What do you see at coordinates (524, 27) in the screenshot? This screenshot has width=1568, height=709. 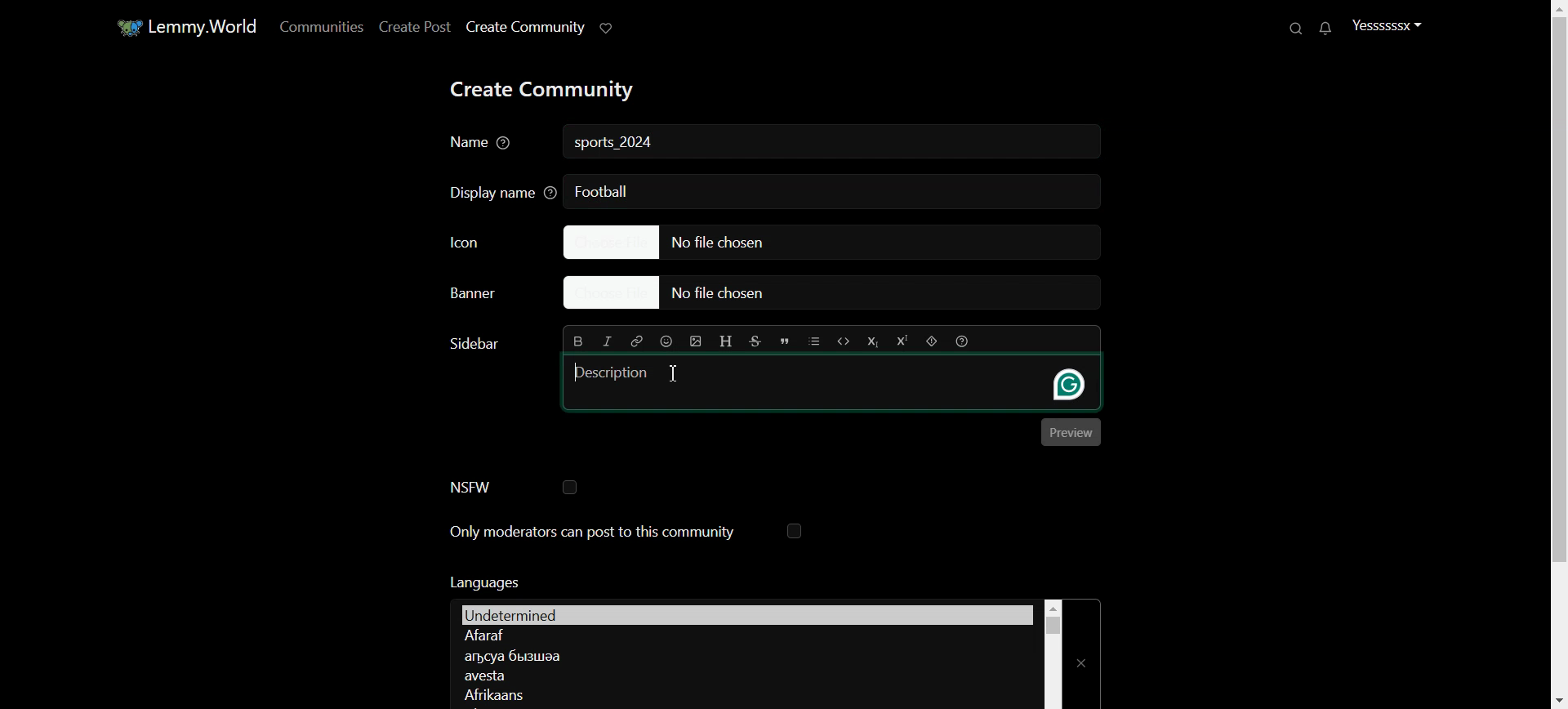 I see `Create Community` at bounding box center [524, 27].